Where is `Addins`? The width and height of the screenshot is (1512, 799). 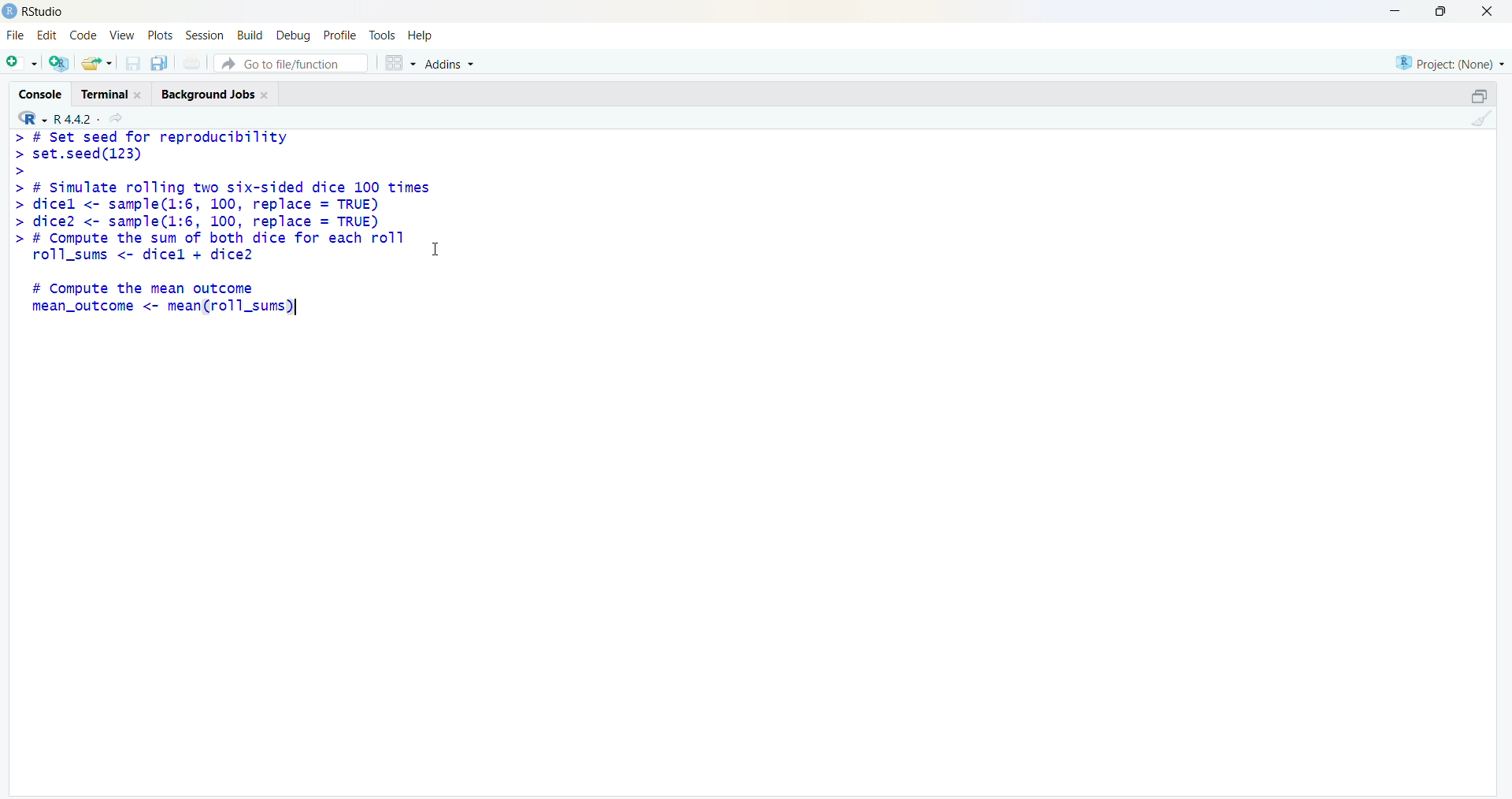
Addins is located at coordinates (451, 64).